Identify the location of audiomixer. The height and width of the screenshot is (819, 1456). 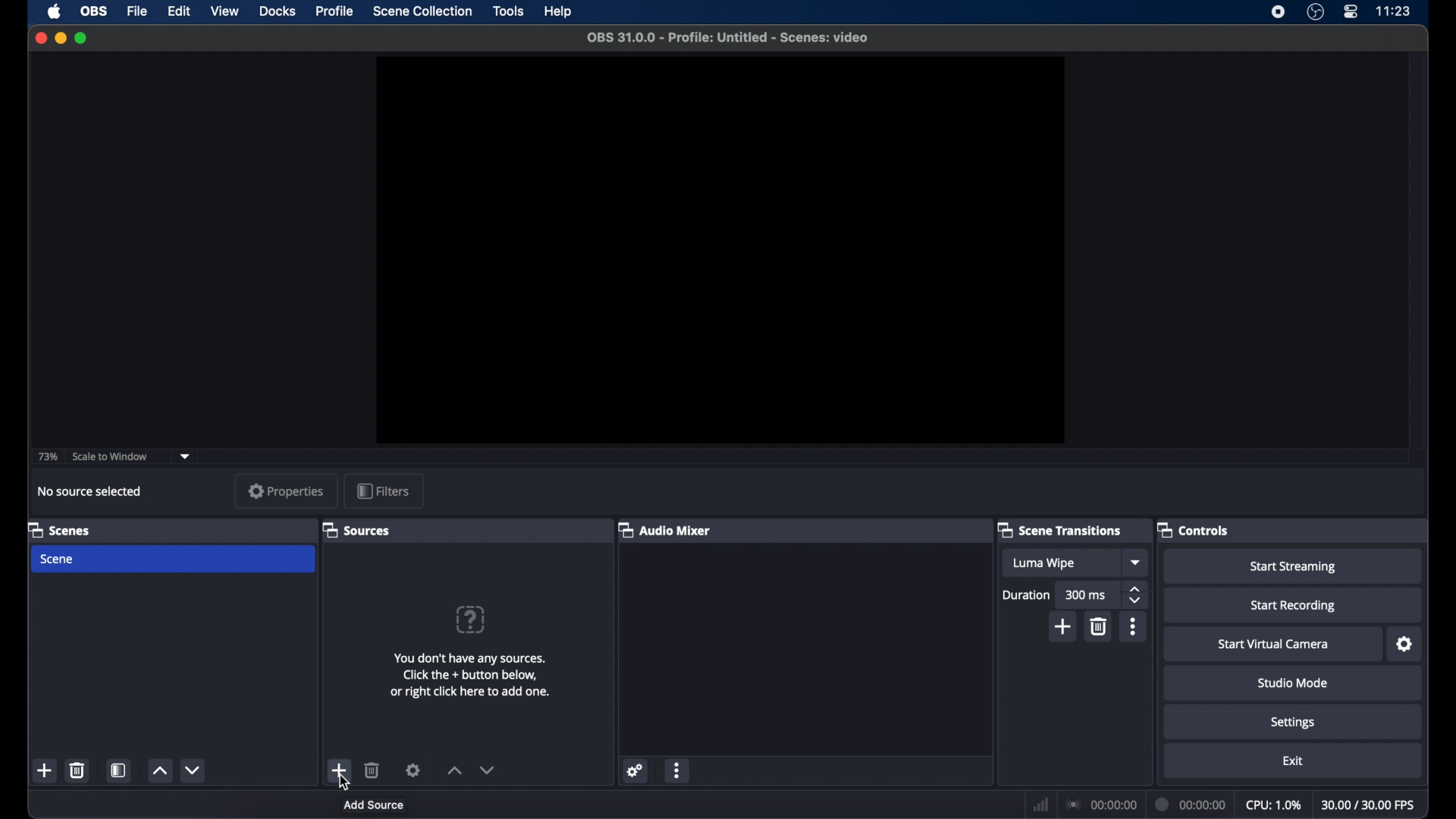
(664, 529).